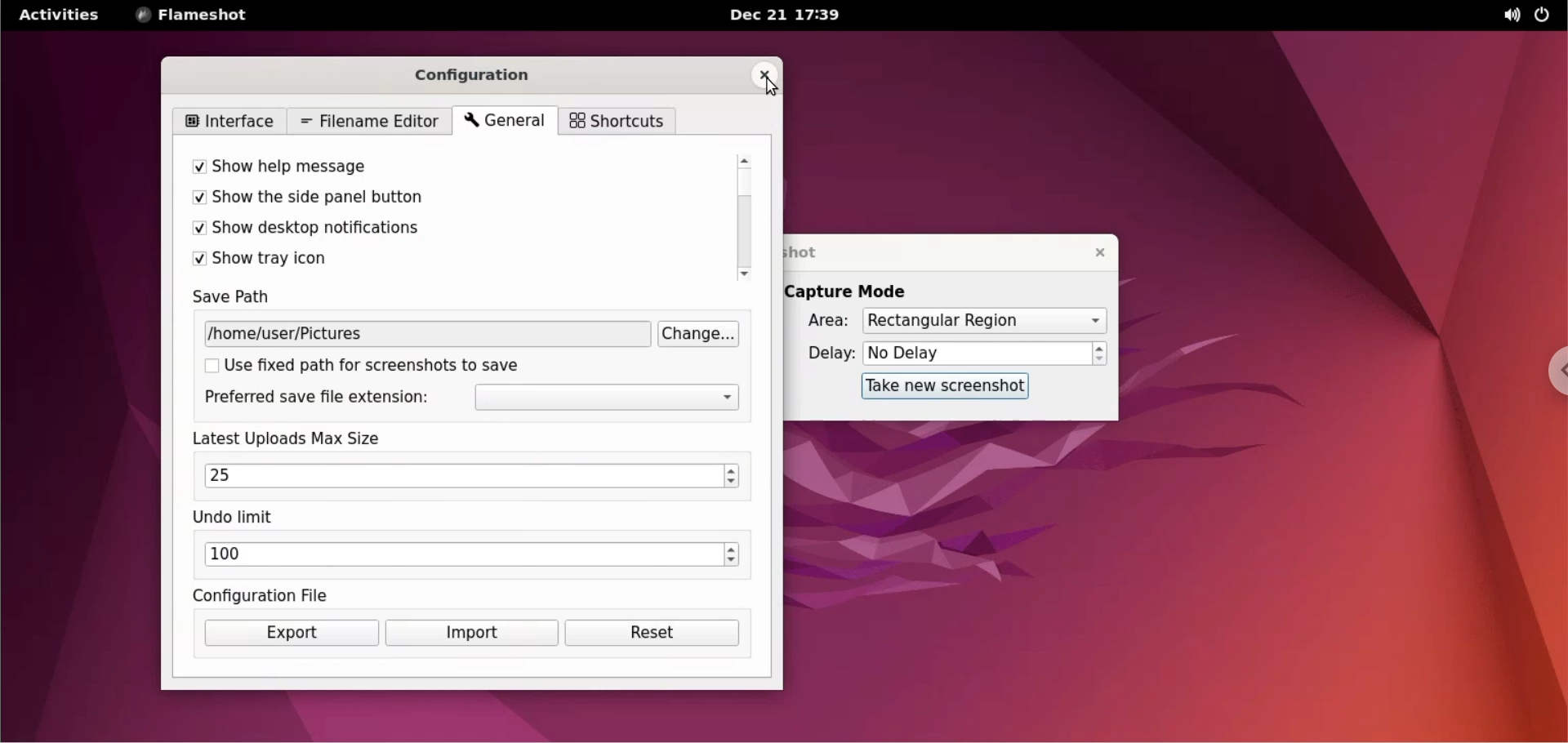 Image resolution: width=1568 pixels, height=743 pixels. I want to click on Latest Uploads Max size, so click(305, 438).